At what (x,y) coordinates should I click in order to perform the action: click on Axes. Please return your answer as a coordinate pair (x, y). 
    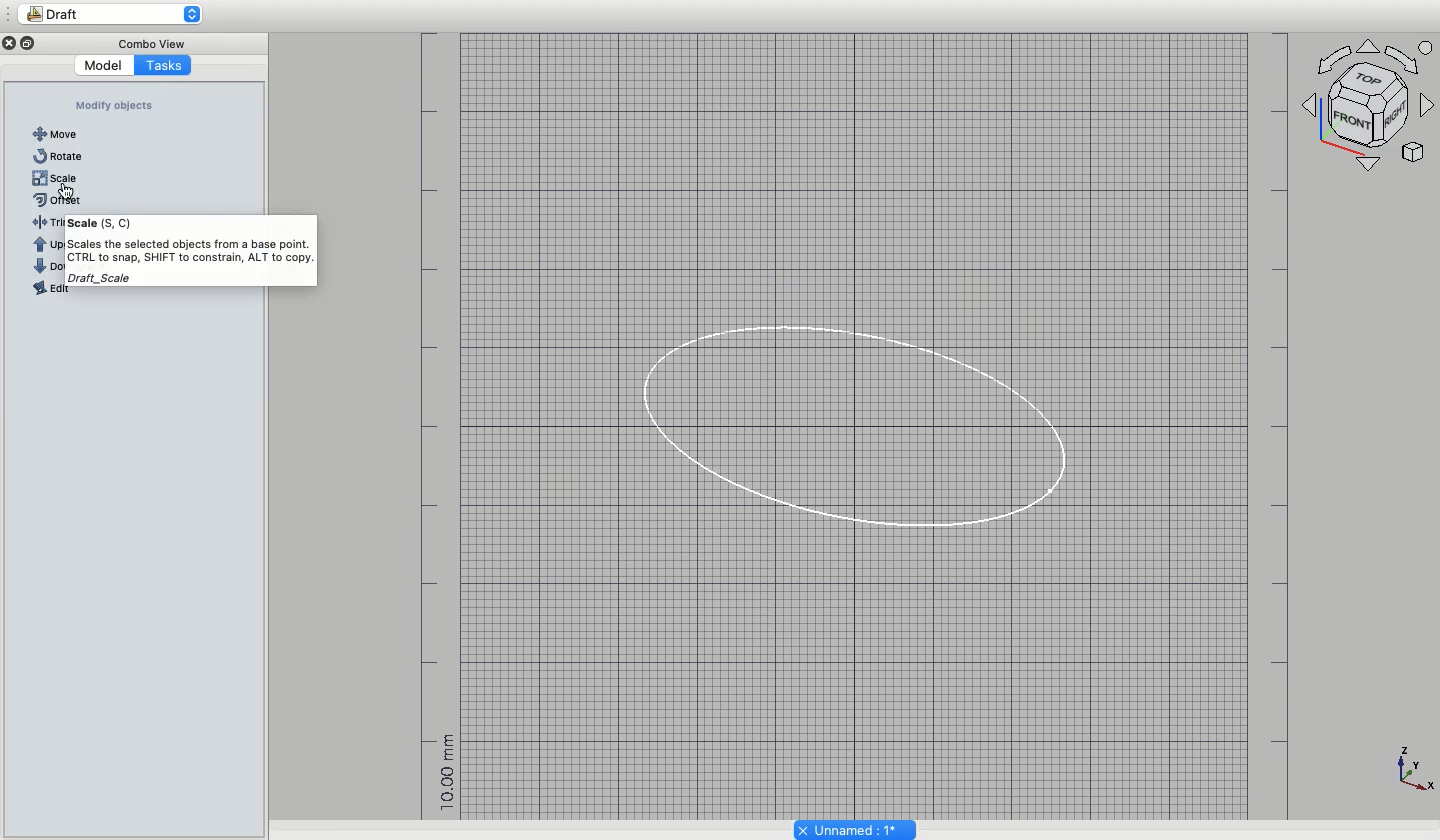
    Looking at the image, I should click on (1414, 773).